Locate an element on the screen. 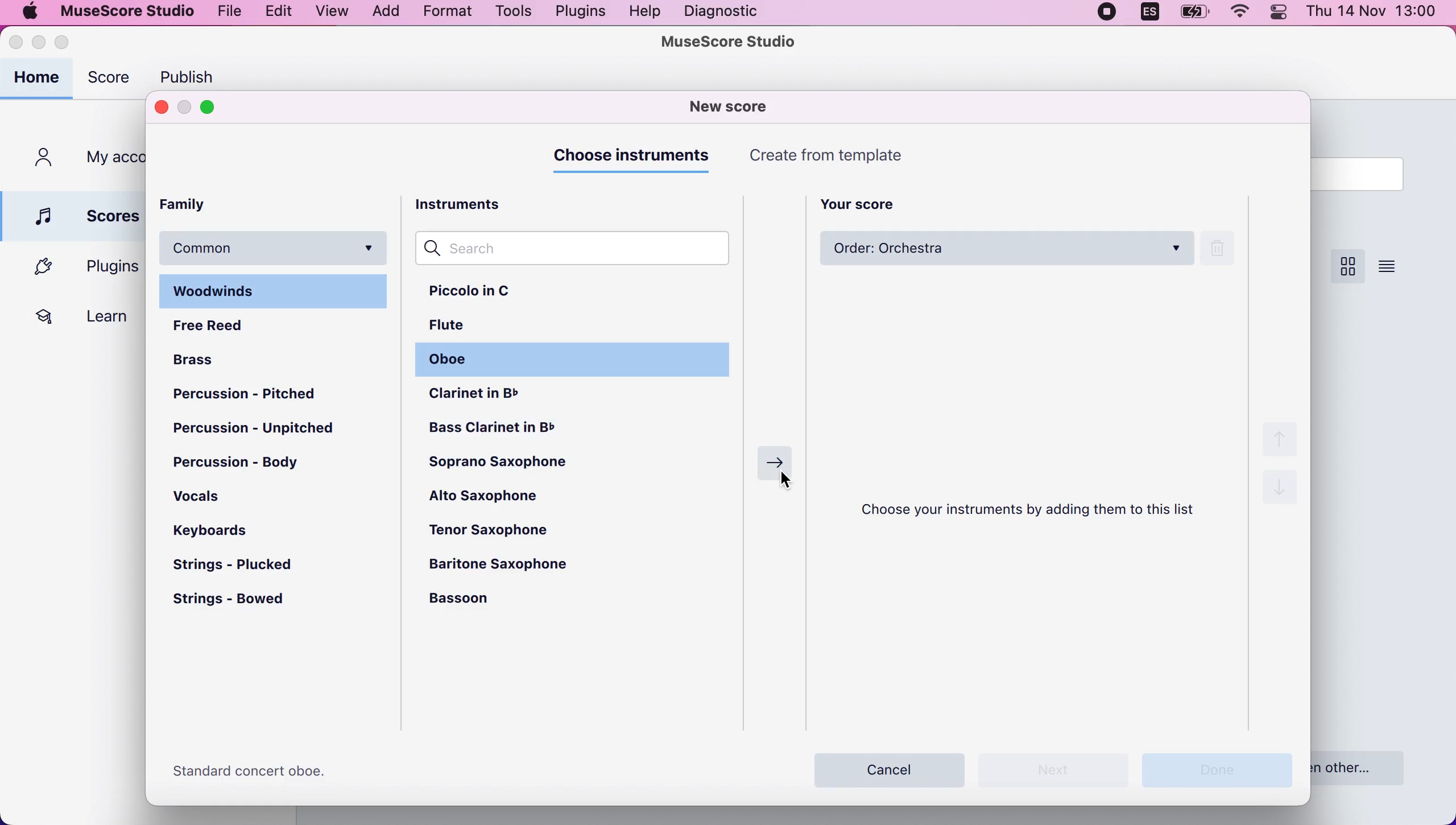 The width and height of the screenshot is (1456, 825). choose instruments is located at coordinates (635, 160).